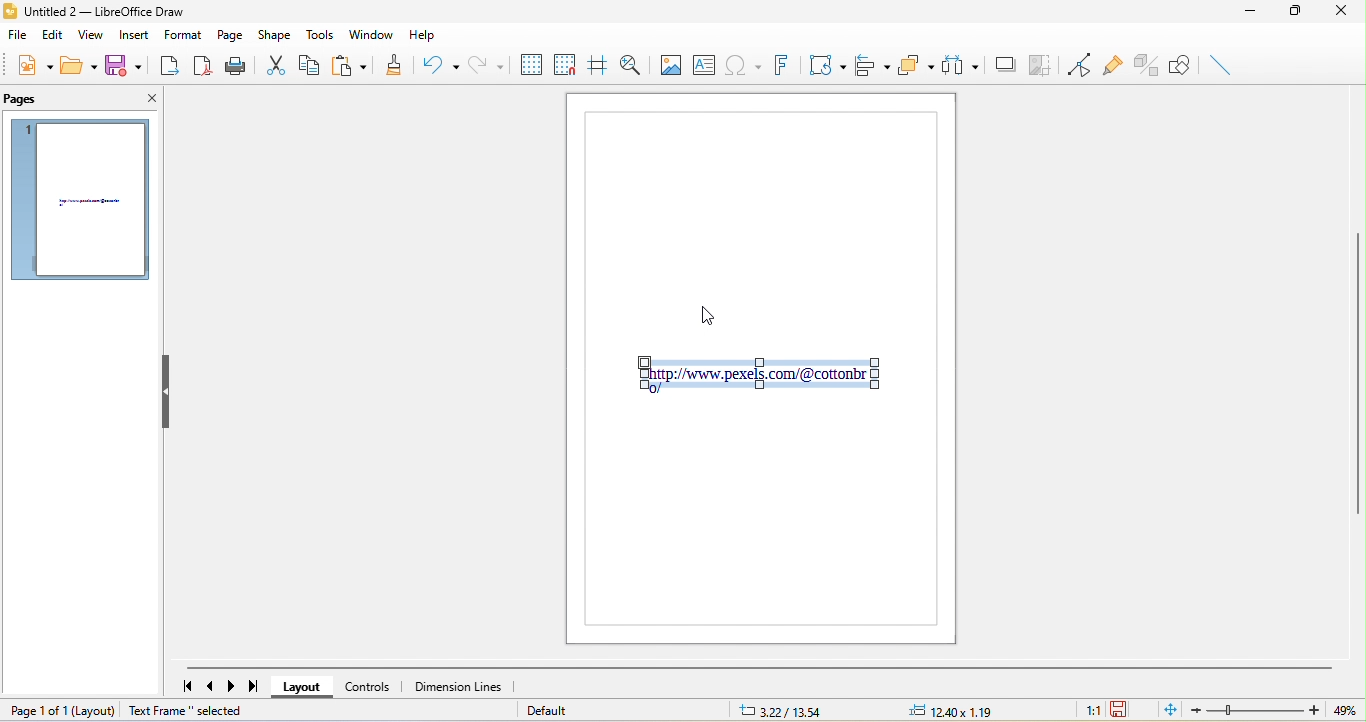  I want to click on export directly as pdf, so click(205, 65).